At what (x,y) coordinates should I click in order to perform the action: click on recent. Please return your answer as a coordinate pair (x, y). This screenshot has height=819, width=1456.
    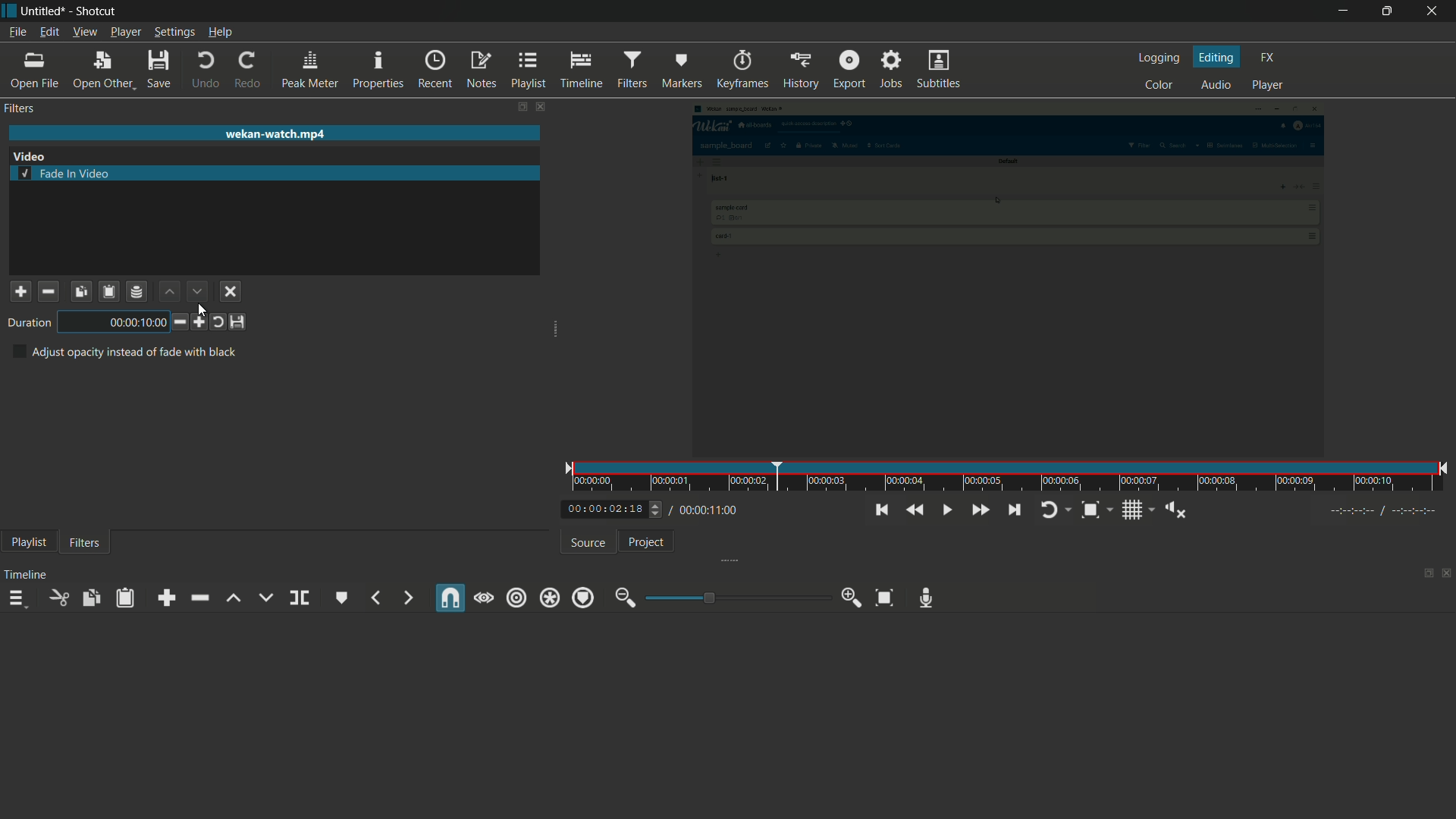
    Looking at the image, I should click on (435, 71).